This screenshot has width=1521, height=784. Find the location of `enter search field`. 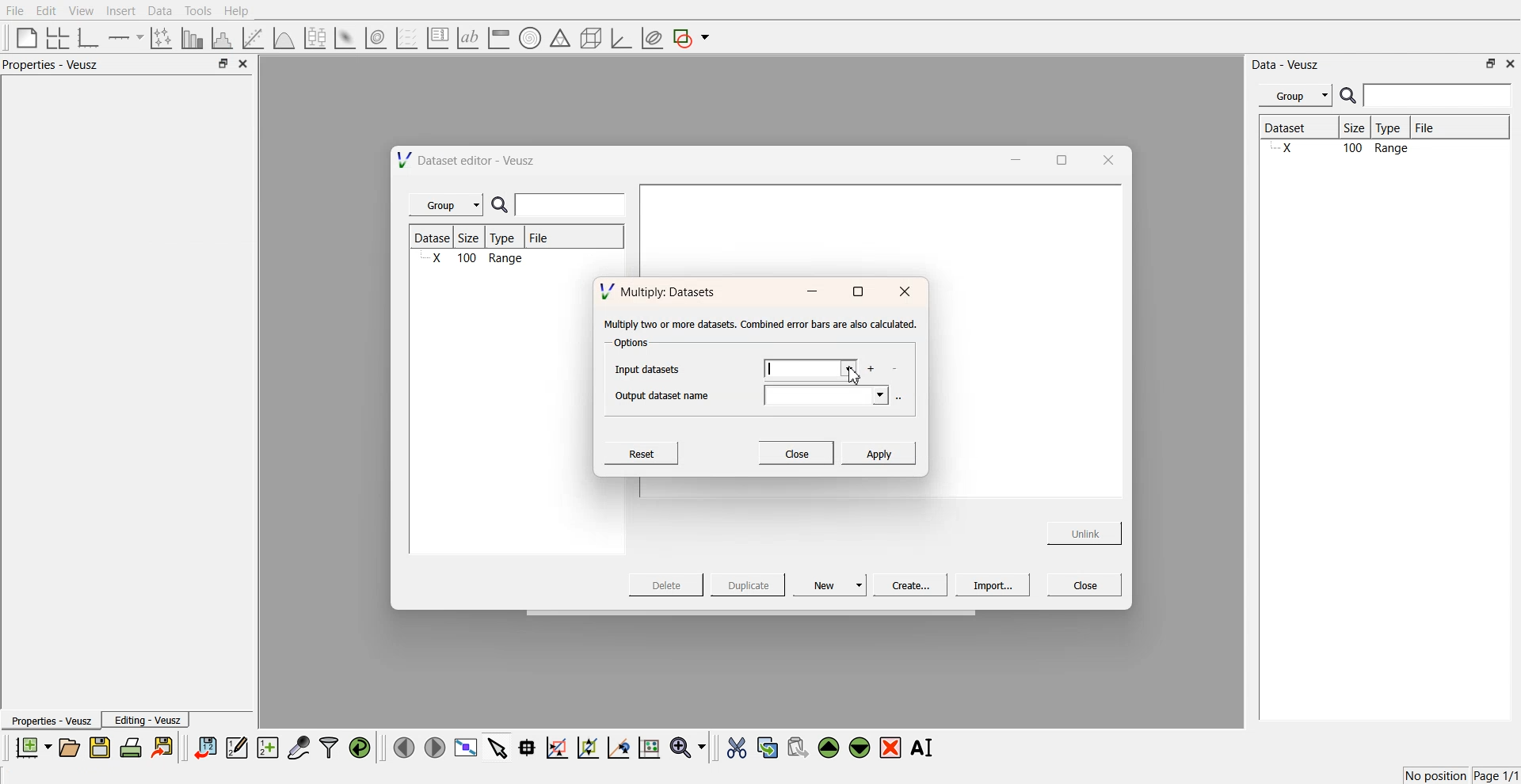

enter search field is located at coordinates (573, 205).